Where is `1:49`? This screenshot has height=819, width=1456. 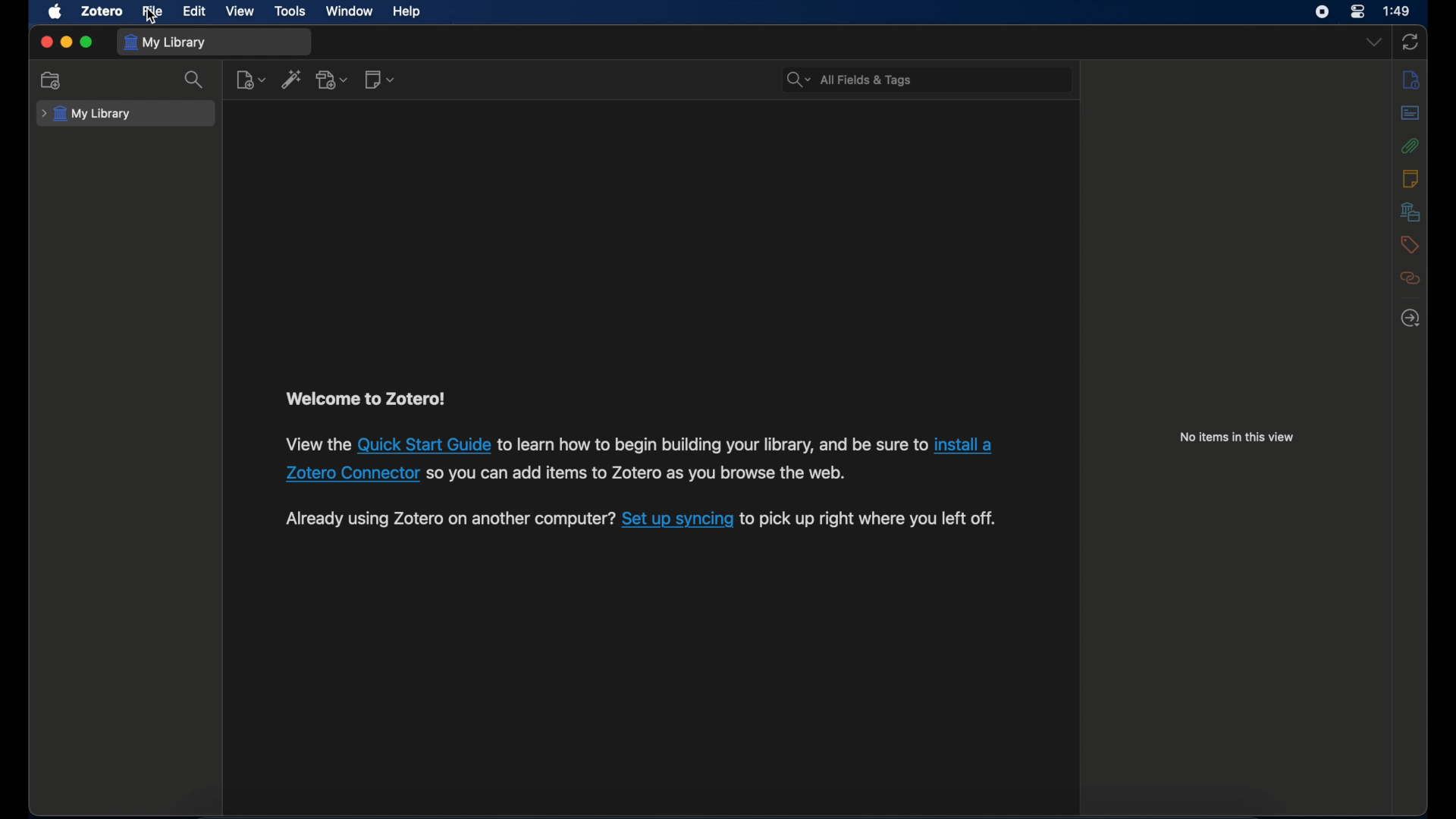 1:49 is located at coordinates (1397, 10).